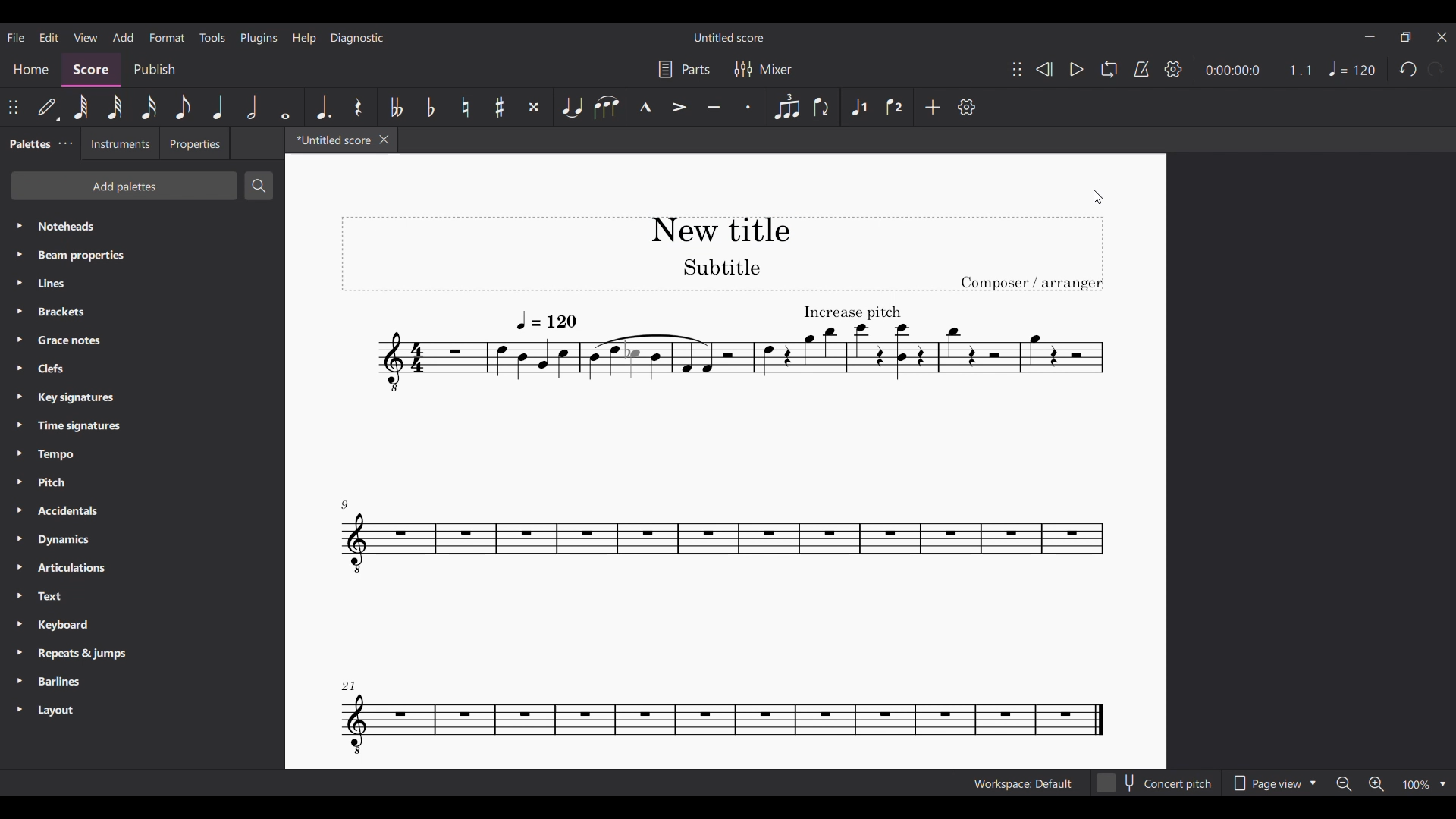  I want to click on Augmentation dot, so click(322, 107).